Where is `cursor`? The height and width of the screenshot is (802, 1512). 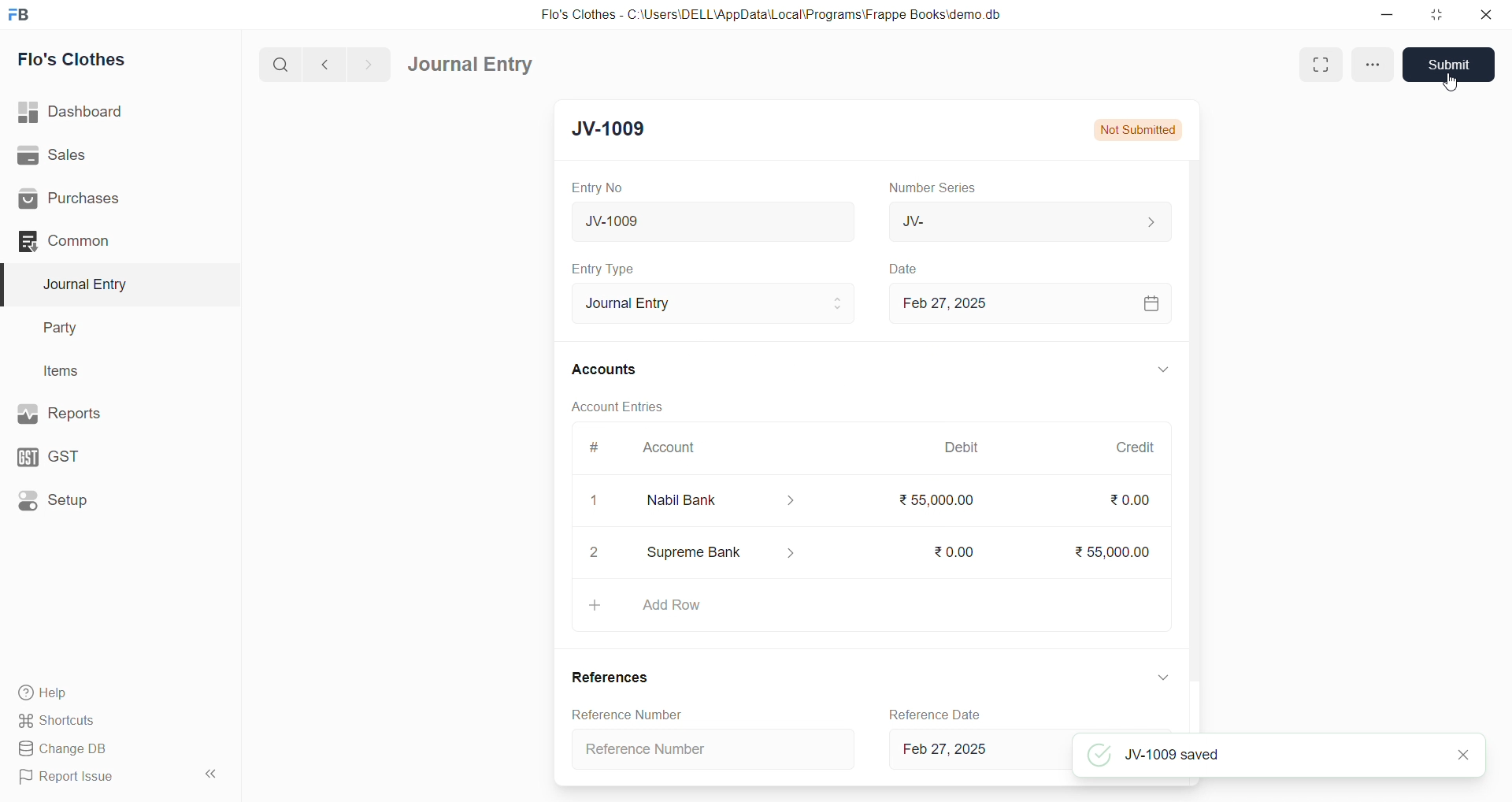
cursor is located at coordinates (1452, 84).